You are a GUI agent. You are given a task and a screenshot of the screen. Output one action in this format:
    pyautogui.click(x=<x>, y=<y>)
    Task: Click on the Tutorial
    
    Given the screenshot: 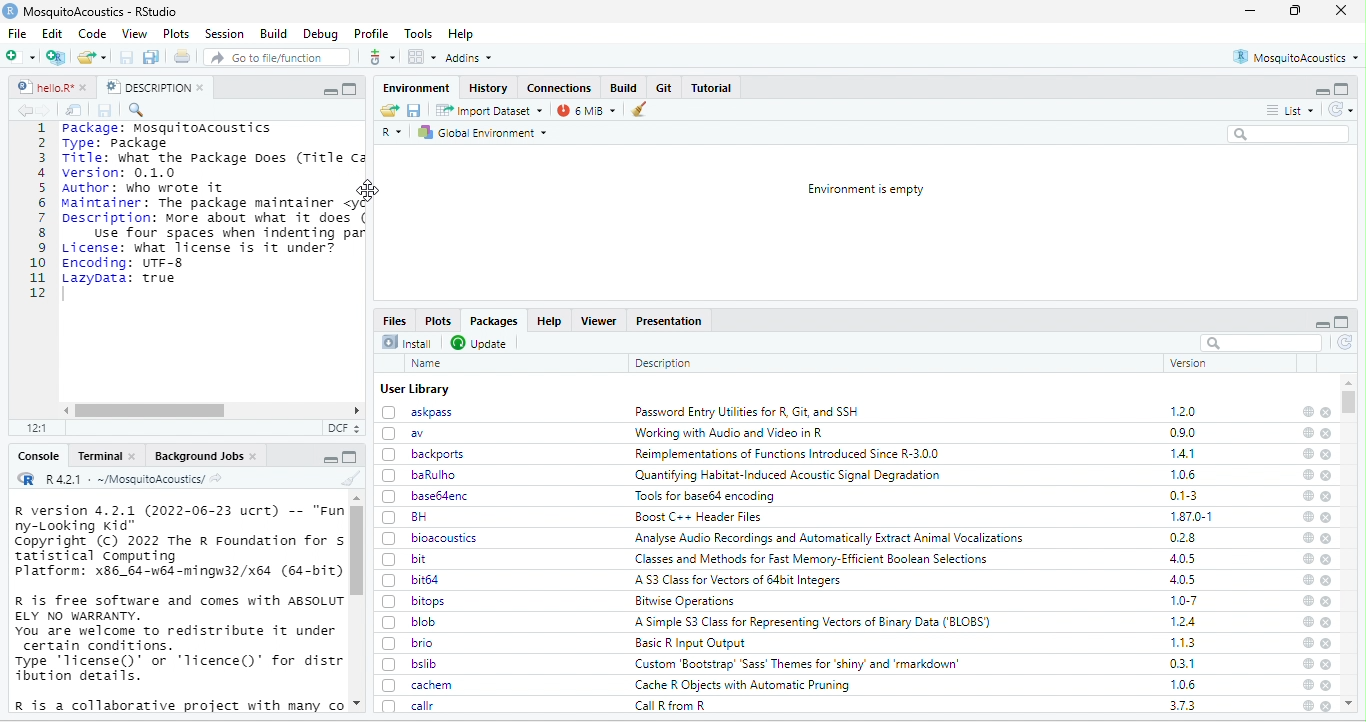 What is the action you would take?
    pyautogui.click(x=711, y=88)
    